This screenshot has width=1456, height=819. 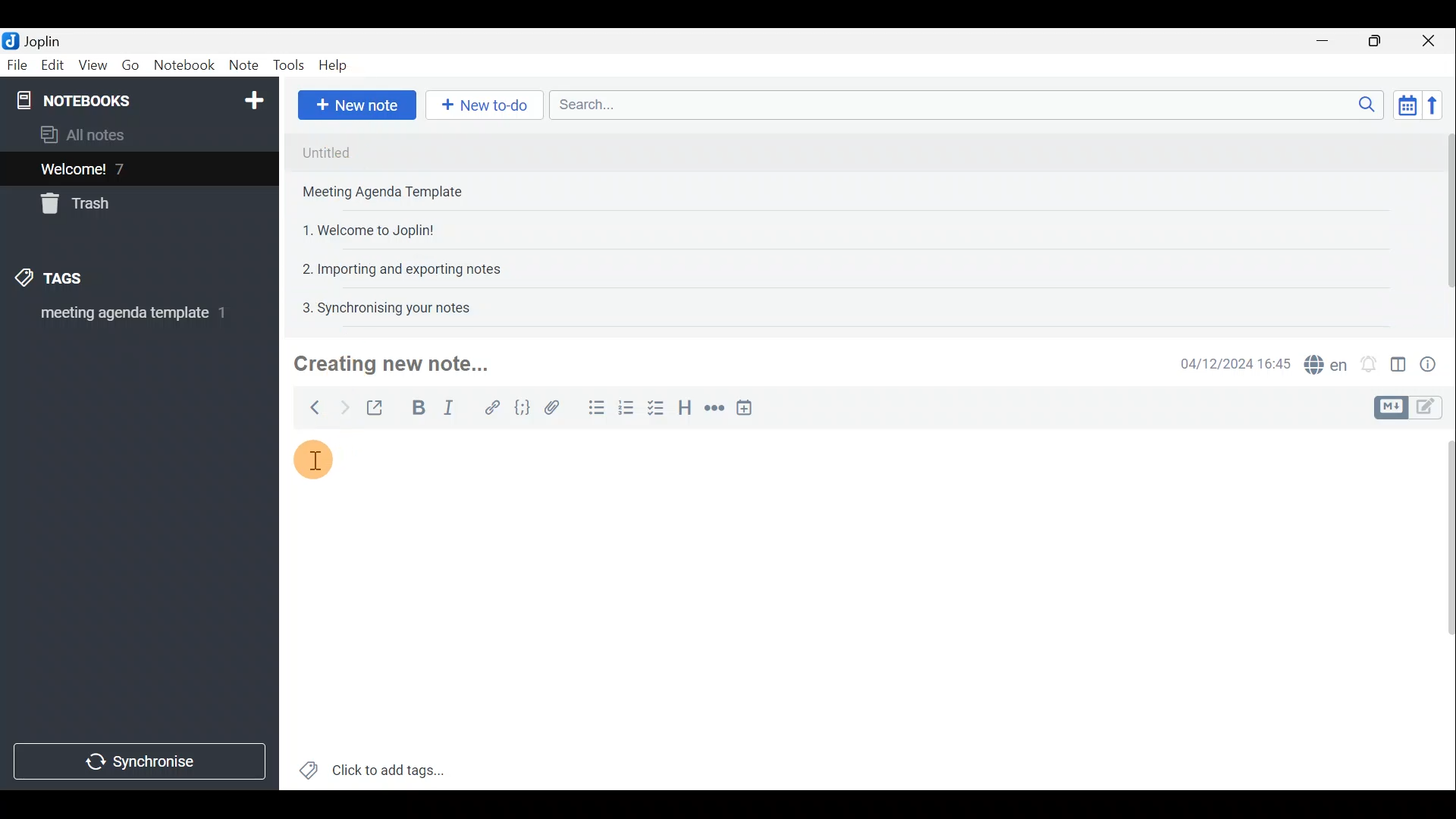 I want to click on Back, so click(x=312, y=407).